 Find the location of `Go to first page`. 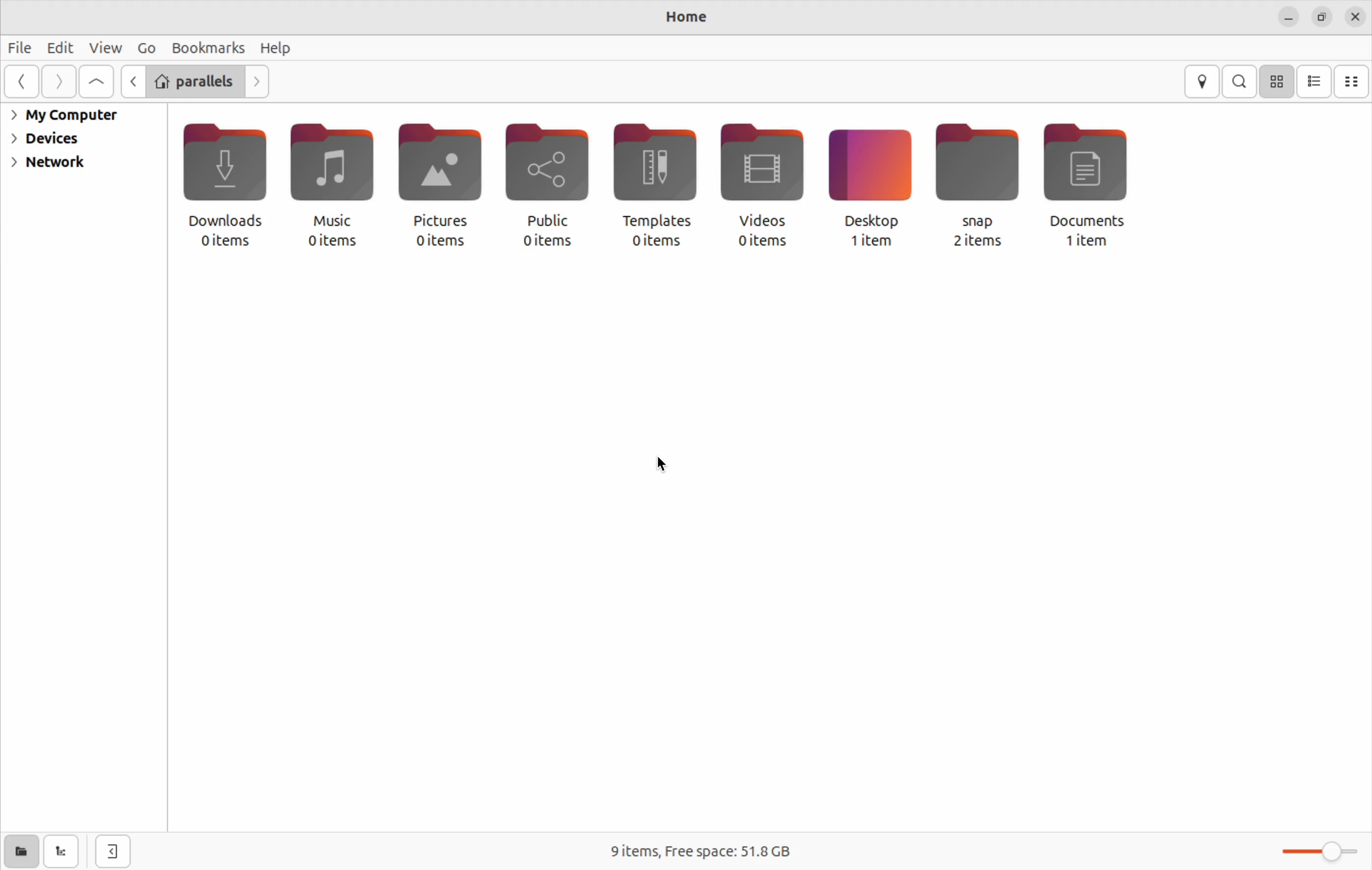

Go to first page is located at coordinates (96, 83).